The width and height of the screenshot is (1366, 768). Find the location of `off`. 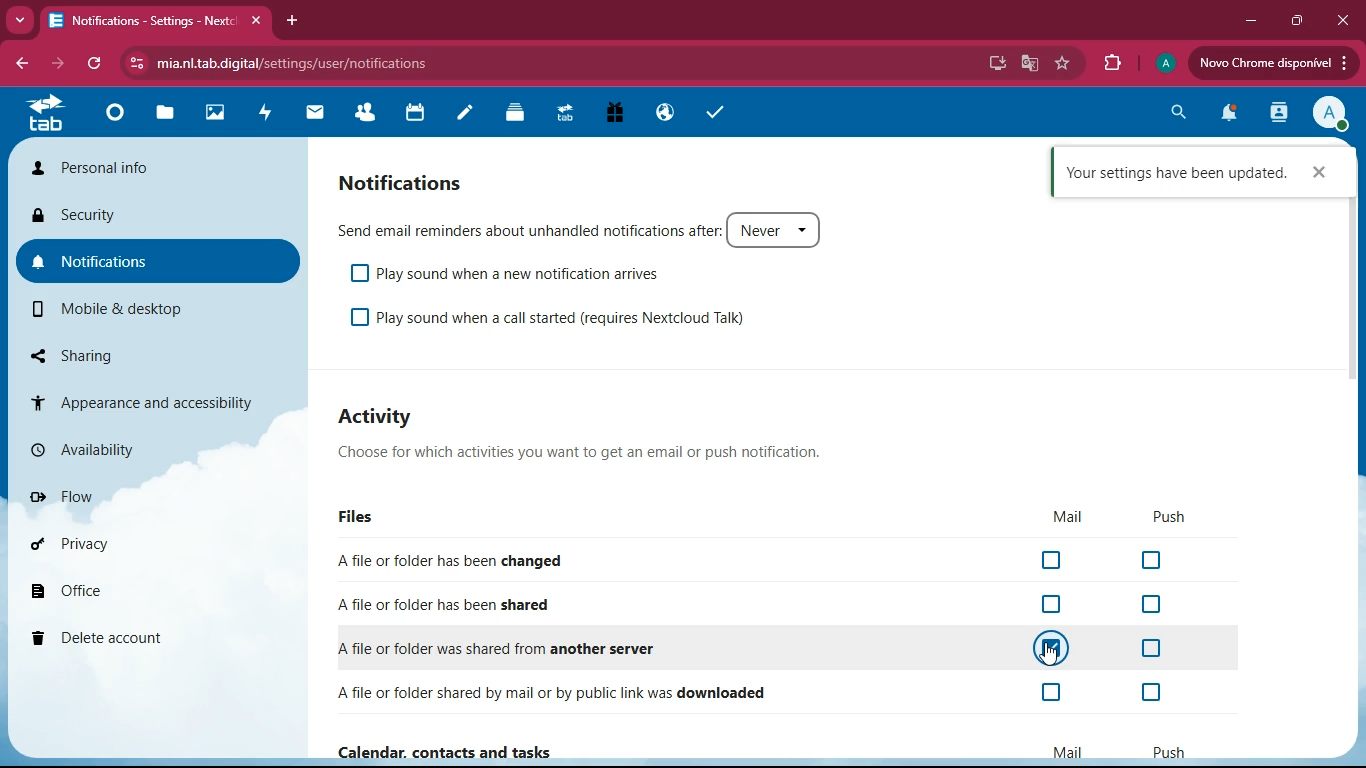

off is located at coordinates (1056, 606).